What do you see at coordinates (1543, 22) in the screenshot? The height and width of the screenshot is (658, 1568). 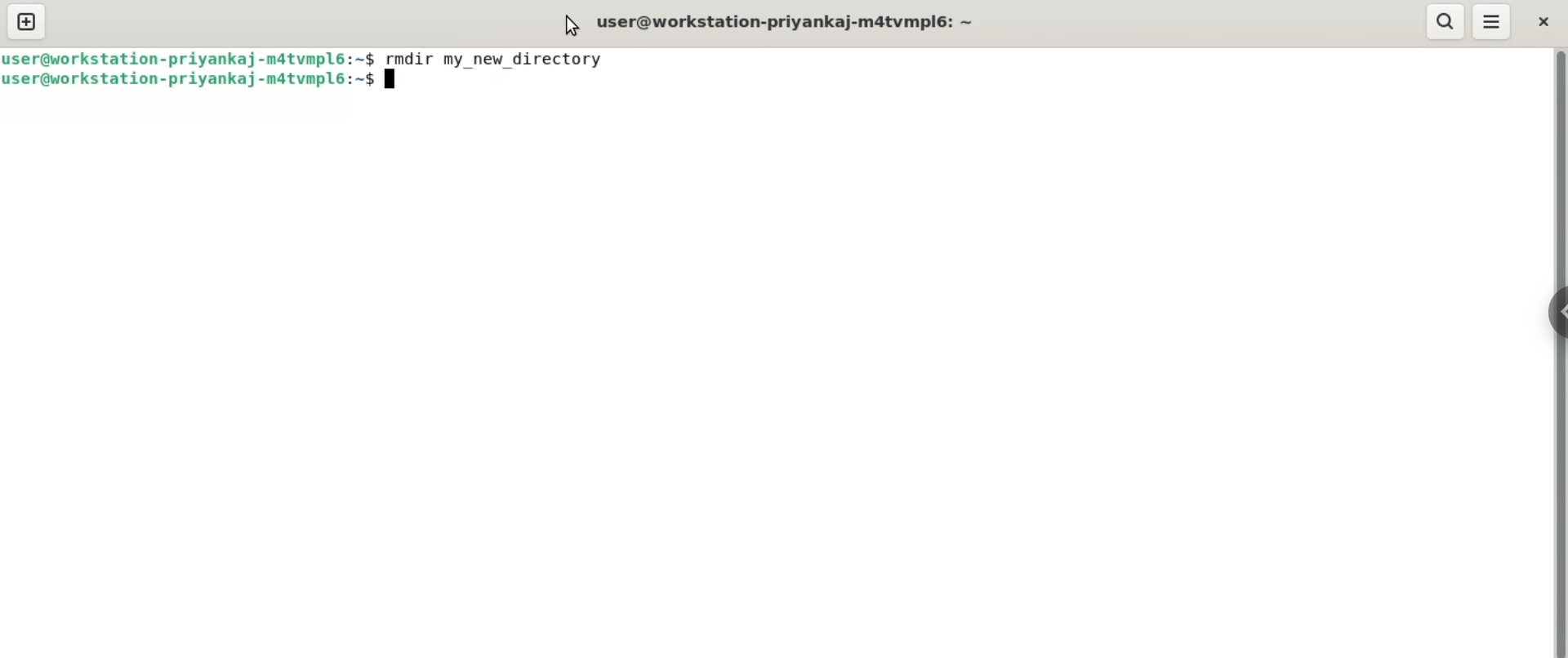 I see `close` at bounding box center [1543, 22].